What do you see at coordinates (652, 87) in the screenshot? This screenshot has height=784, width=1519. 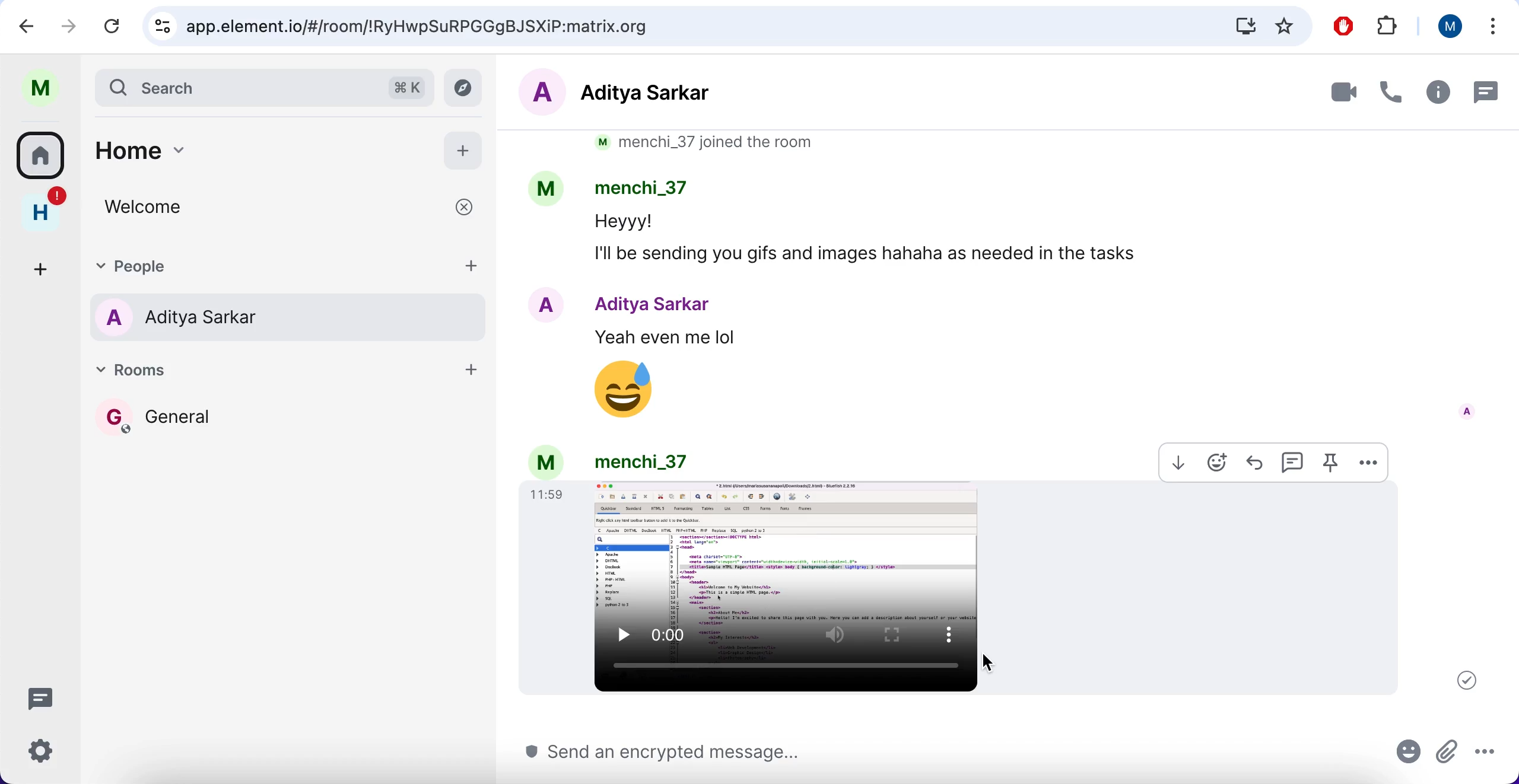 I see `aditya sarkar` at bounding box center [652, 87].